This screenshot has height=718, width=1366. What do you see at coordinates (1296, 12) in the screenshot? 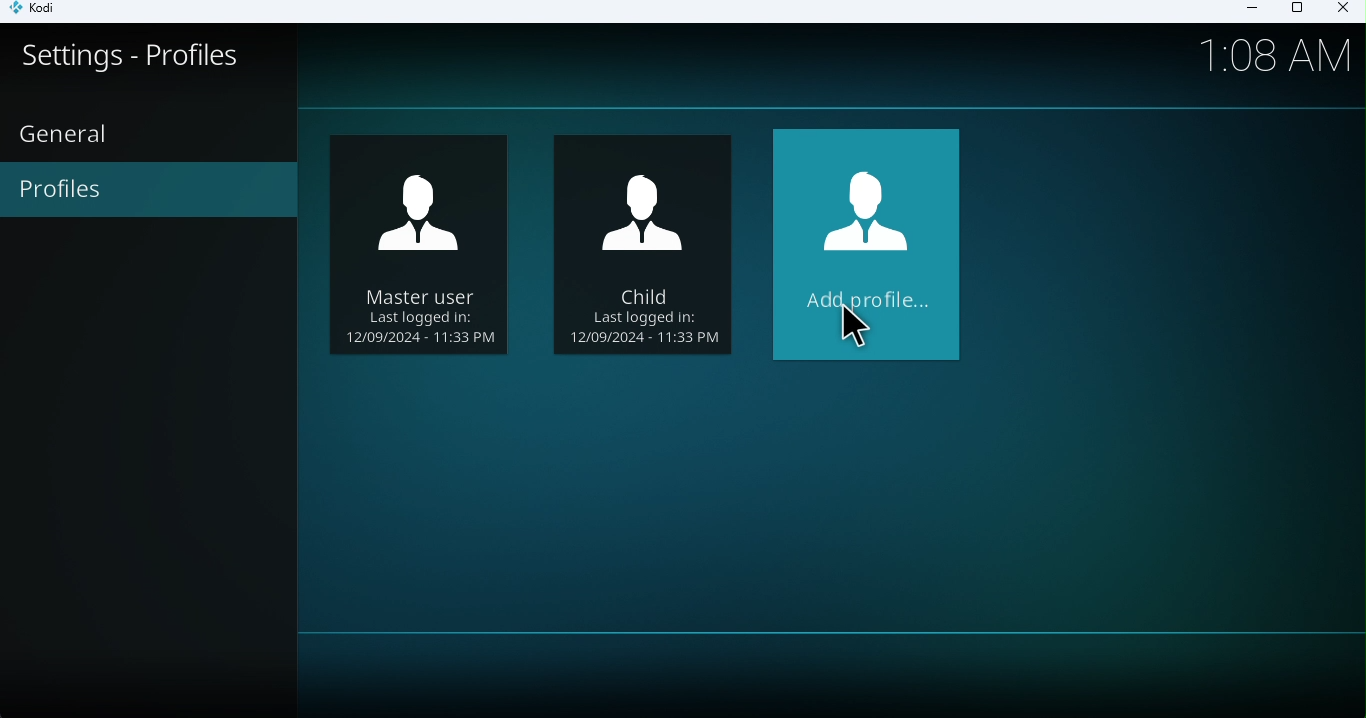
I see `Maximize` at bounding box center [1296, 12].